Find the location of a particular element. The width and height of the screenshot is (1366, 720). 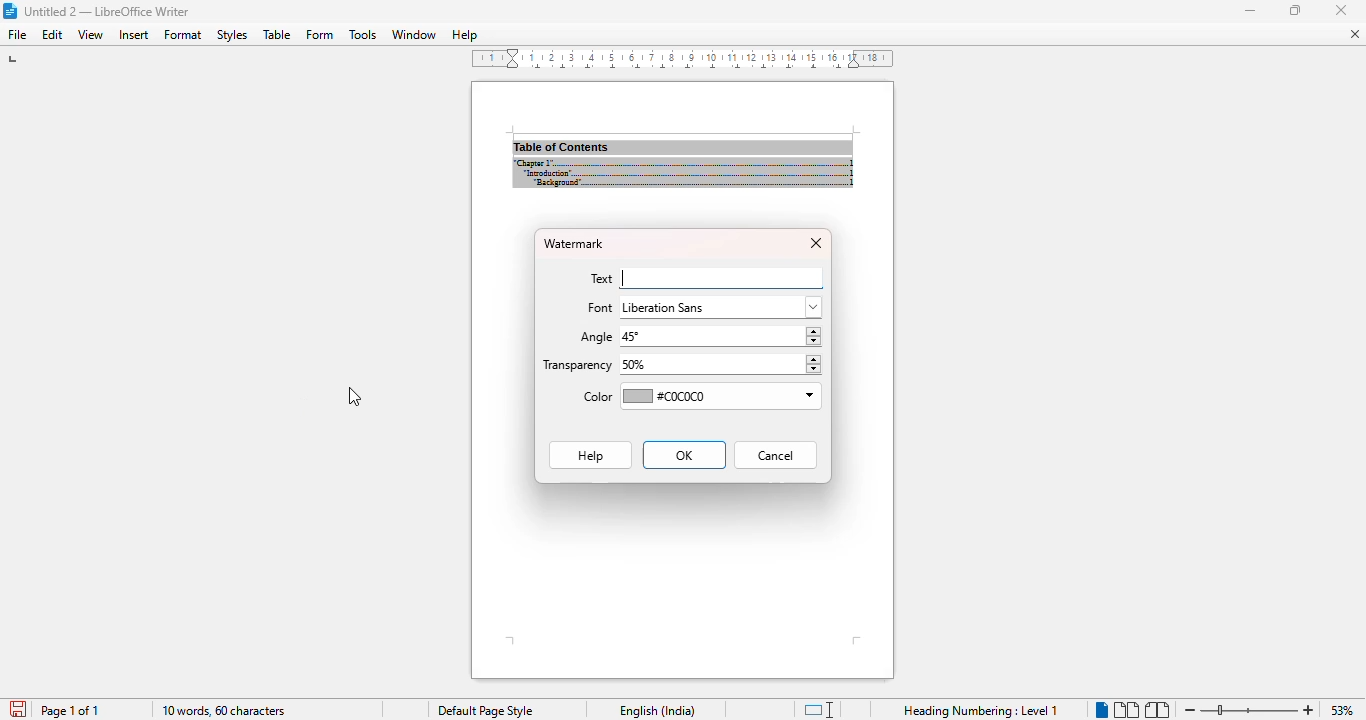

10 words, 60 characters is located at coordinates (224, 711).